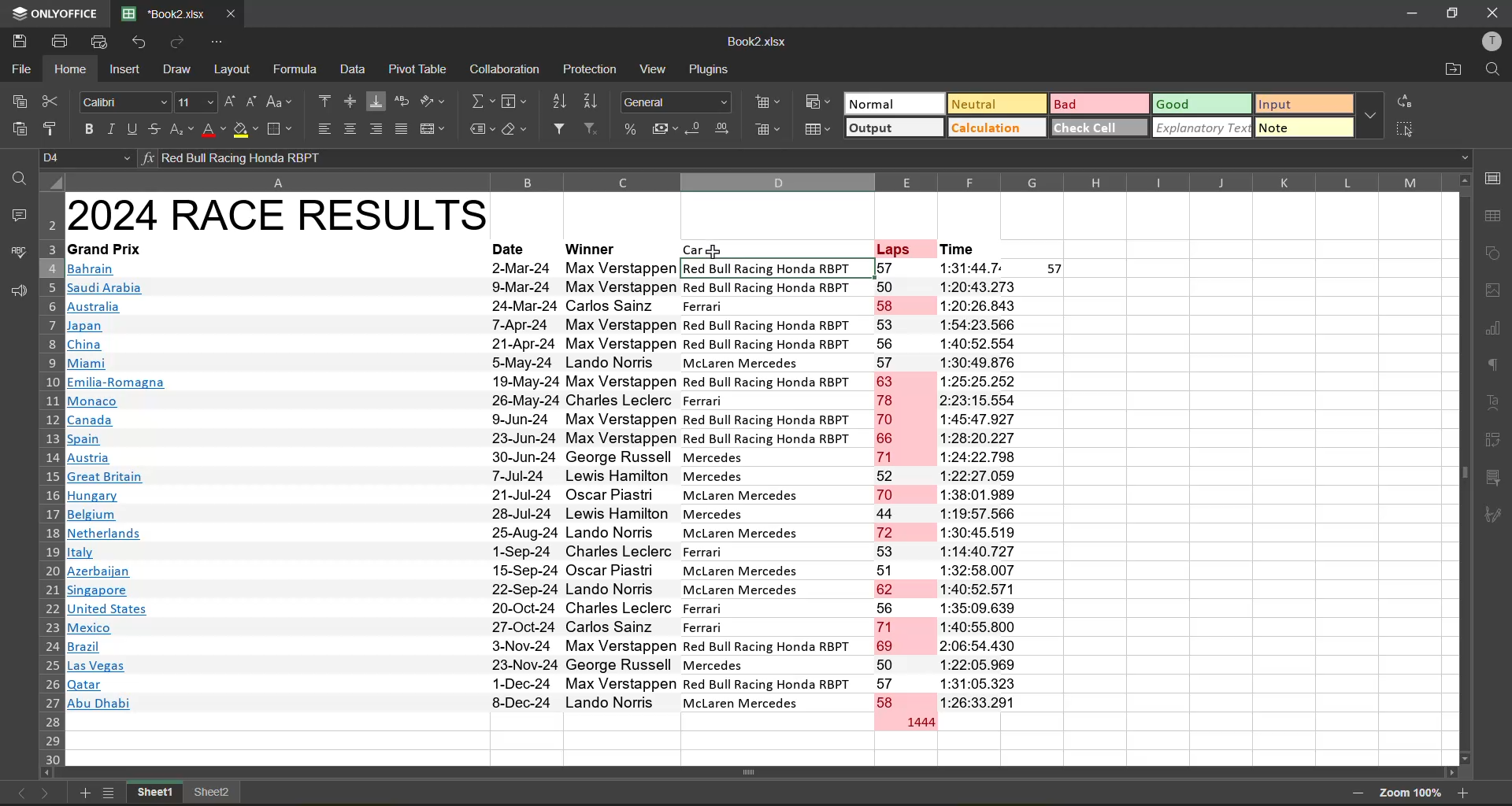 The width and height of the screenshot is (1512, 806). What do you see at coordinates (126, 102) in the screenshot?
I see `font style` at bounding box center [126, 102].